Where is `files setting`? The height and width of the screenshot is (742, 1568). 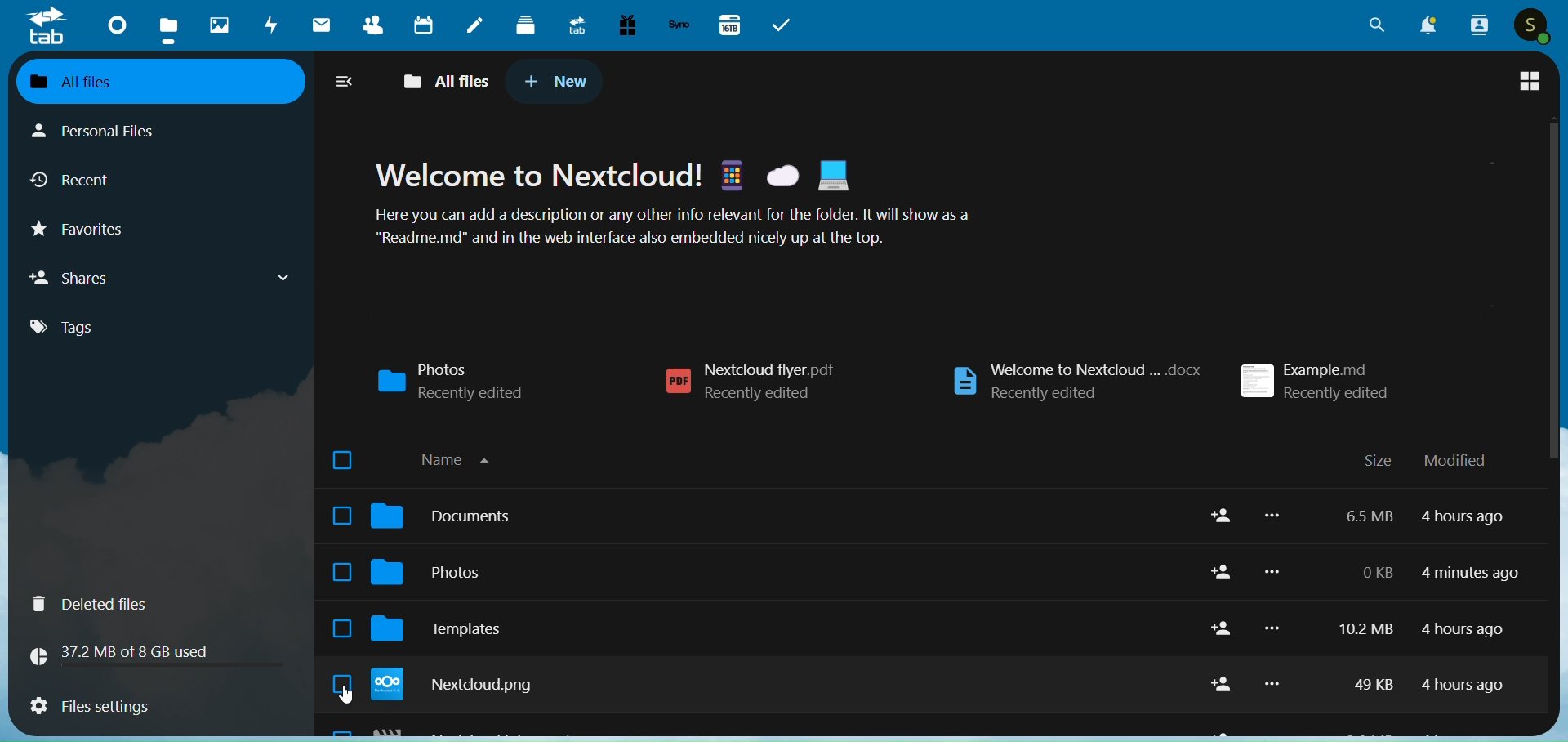
files setting is located at coordinates (155, 706).